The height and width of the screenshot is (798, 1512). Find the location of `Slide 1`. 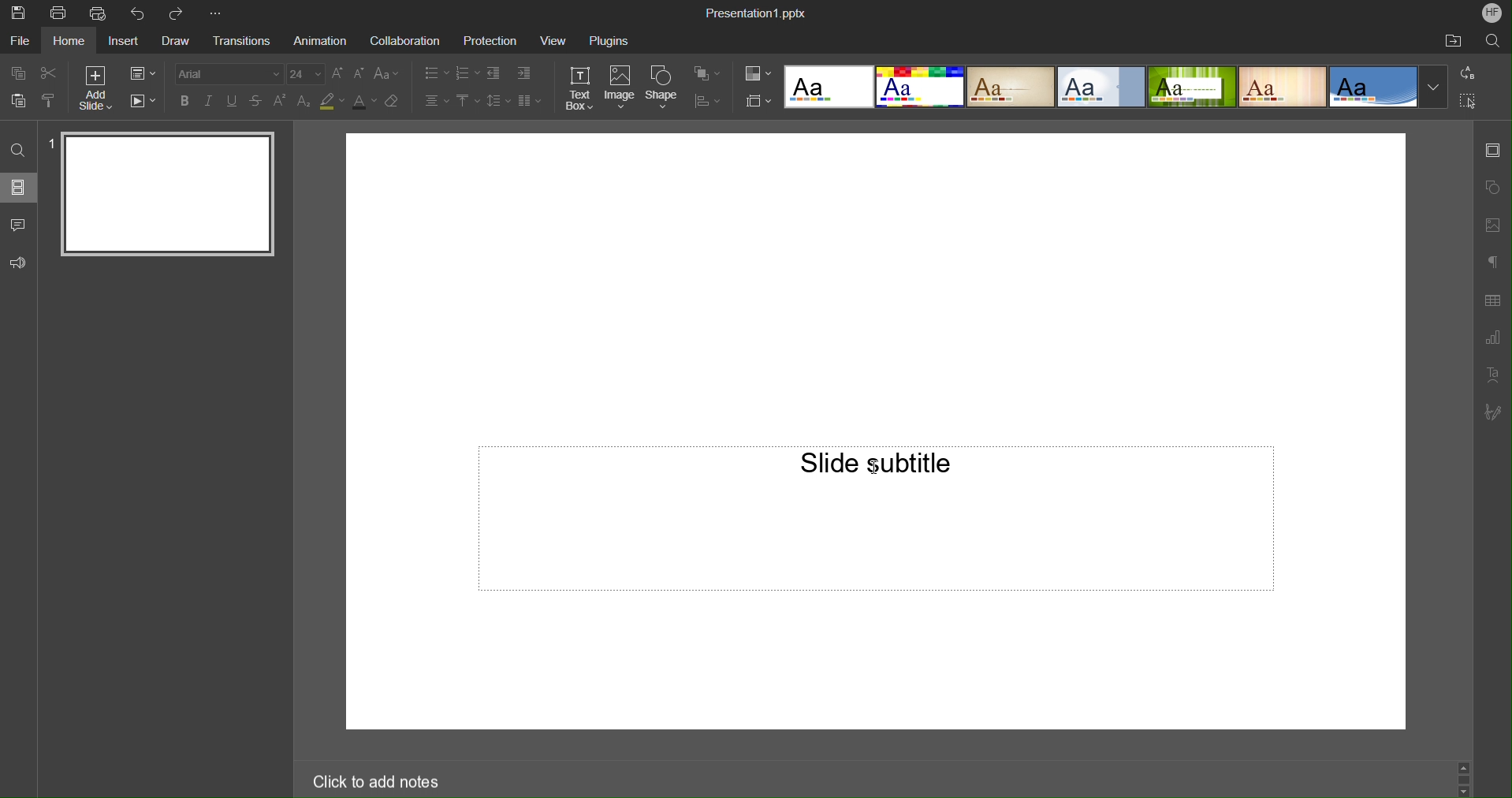

Slide 1 is located at coordinates (169, 194).